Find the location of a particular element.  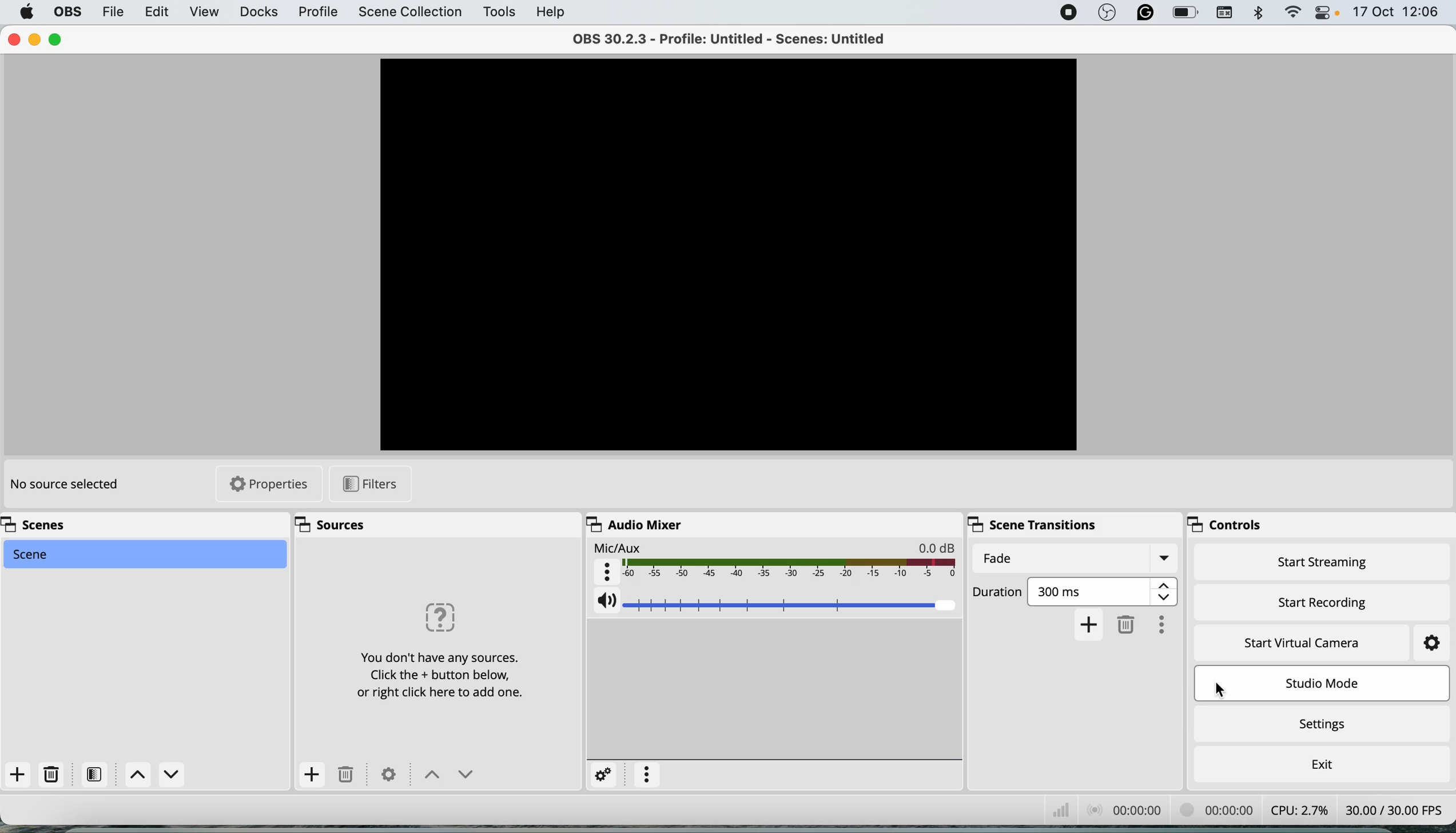

delete sources is located at coordinates (349, 775).